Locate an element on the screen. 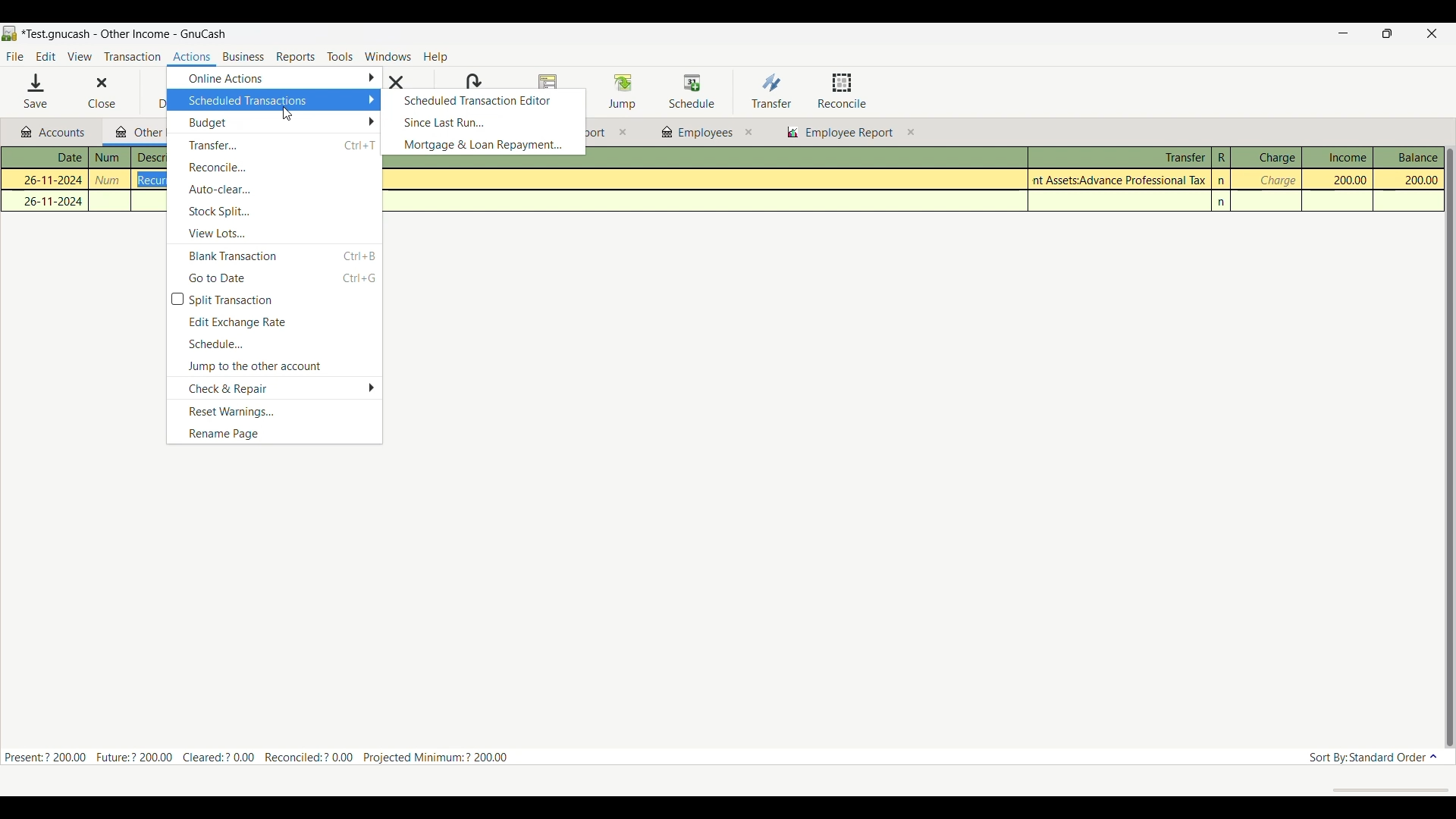 This screenshot has height=819, width=1456. Close interface is located at coordinates (1429, 35).